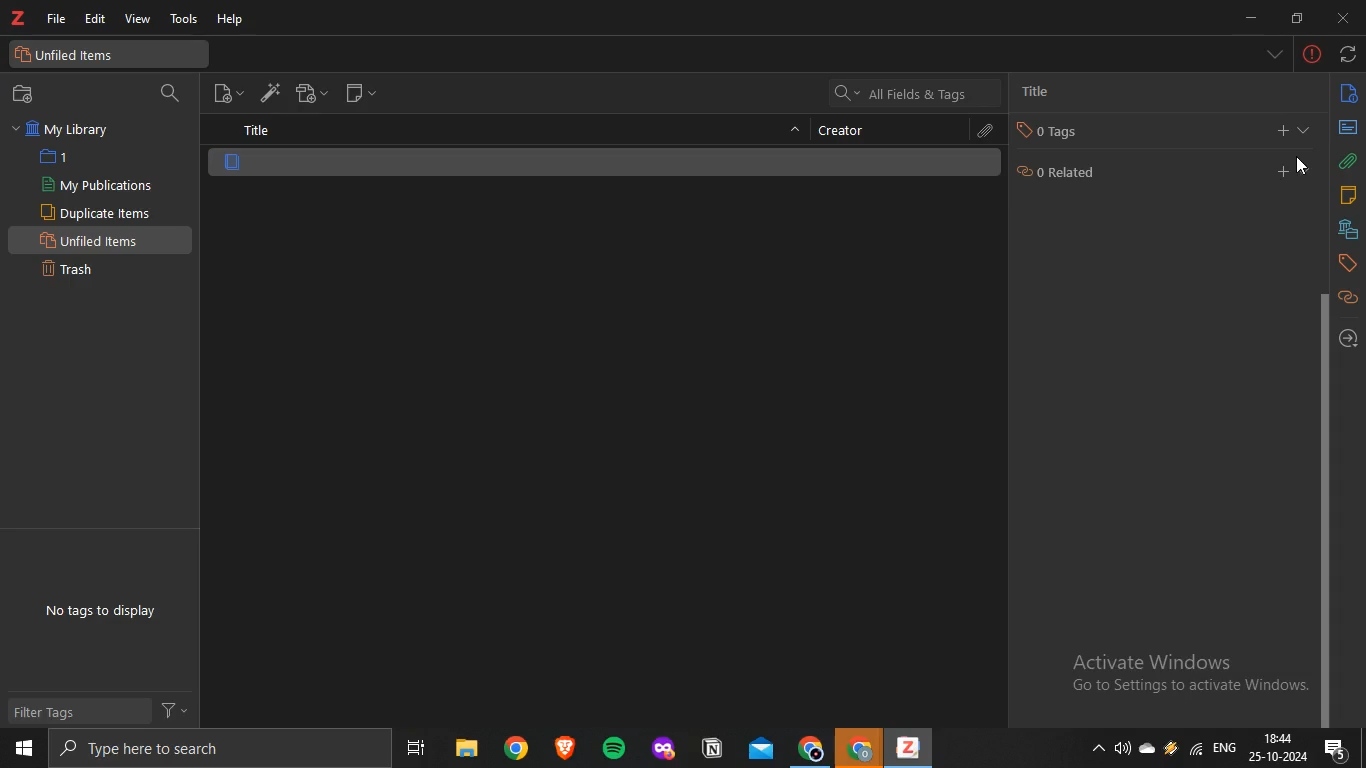 Image resolution: width=1366 pixels, height=768 pixels. I want to click on search, so click(170, 93).